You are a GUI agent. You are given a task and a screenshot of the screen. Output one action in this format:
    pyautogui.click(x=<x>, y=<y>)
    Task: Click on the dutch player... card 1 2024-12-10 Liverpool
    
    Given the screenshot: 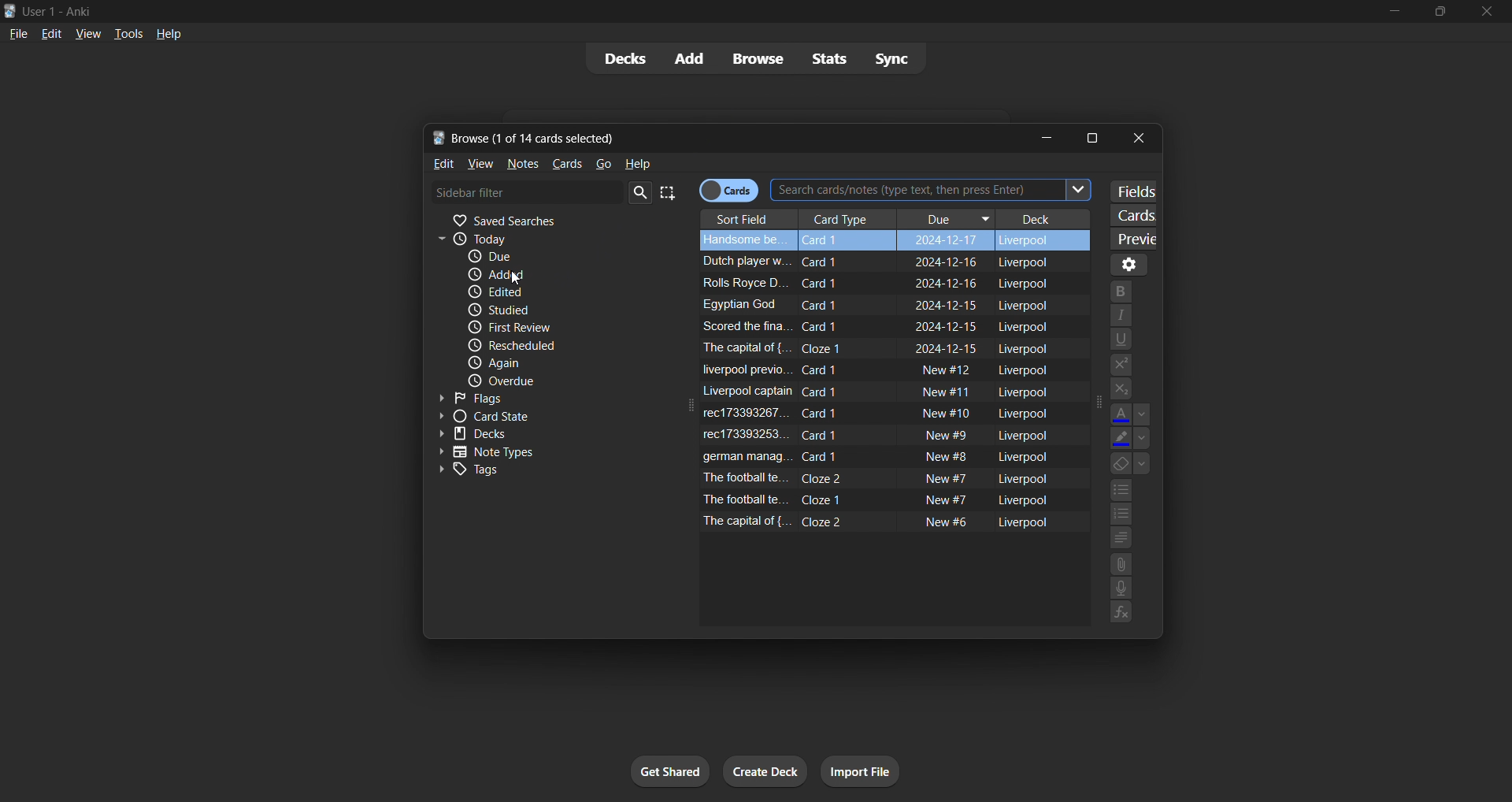 What is the action you would take?
    pyautogui.click(x=873, y=259)
    